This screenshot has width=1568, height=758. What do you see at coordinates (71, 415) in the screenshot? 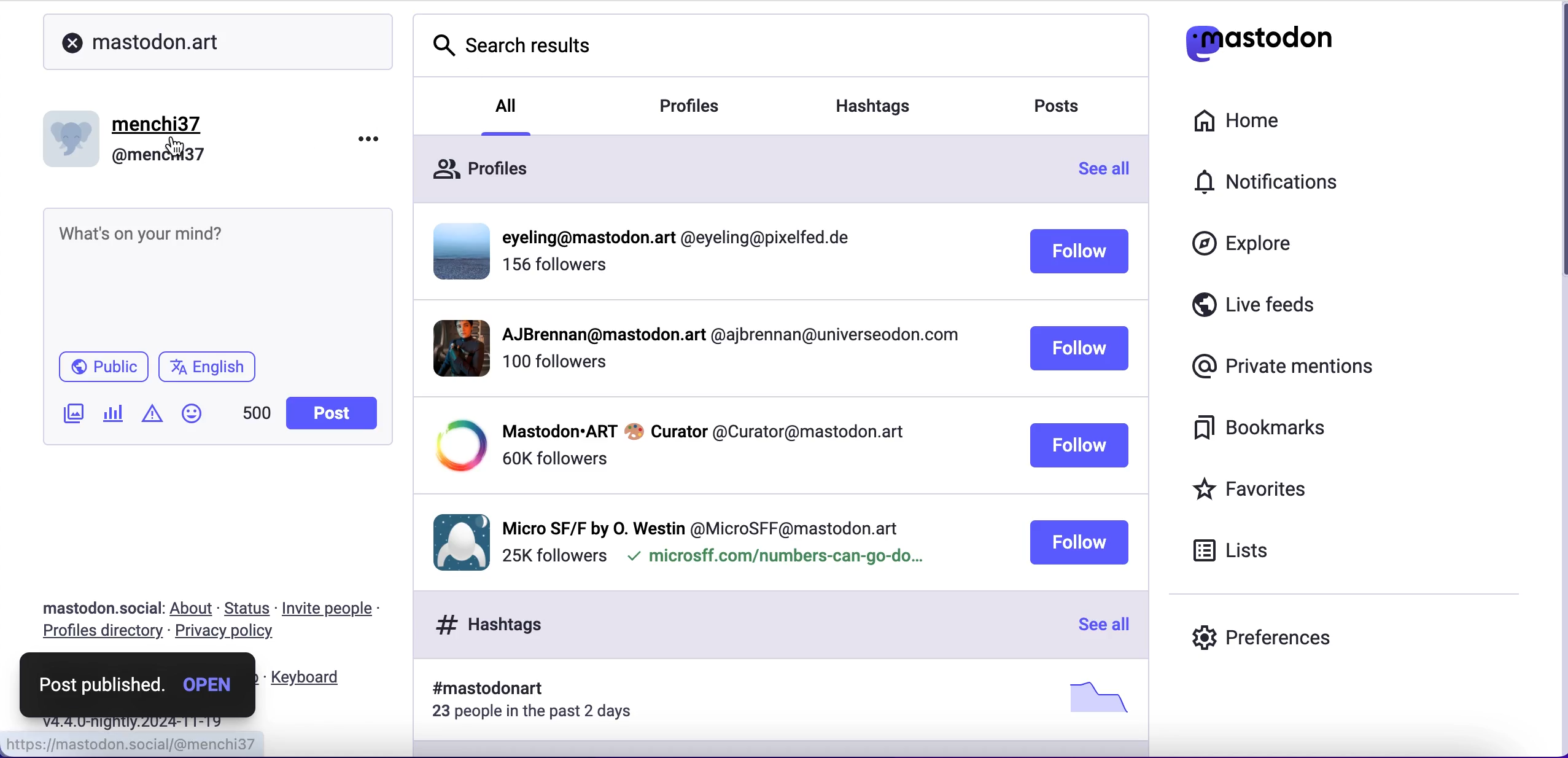
I see `add image` at bounding box center [71, 415].